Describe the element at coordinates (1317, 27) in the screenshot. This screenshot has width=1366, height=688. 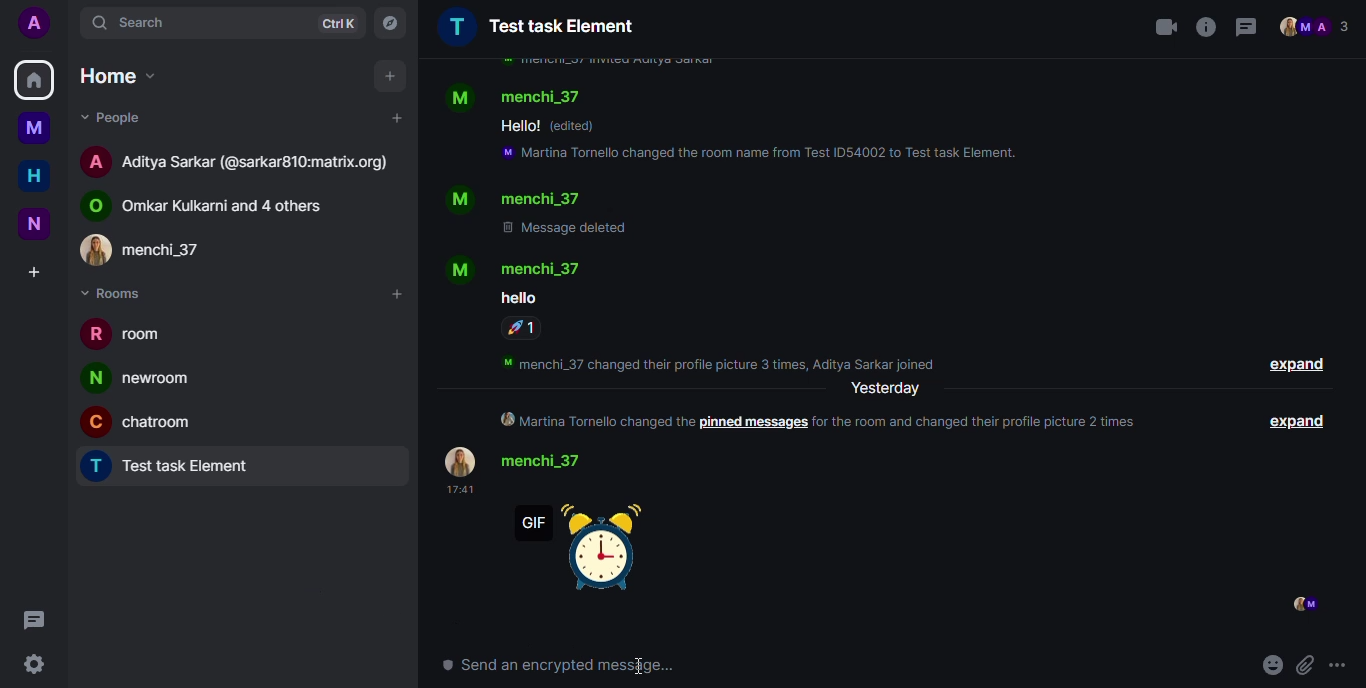
I see `people` at that location.